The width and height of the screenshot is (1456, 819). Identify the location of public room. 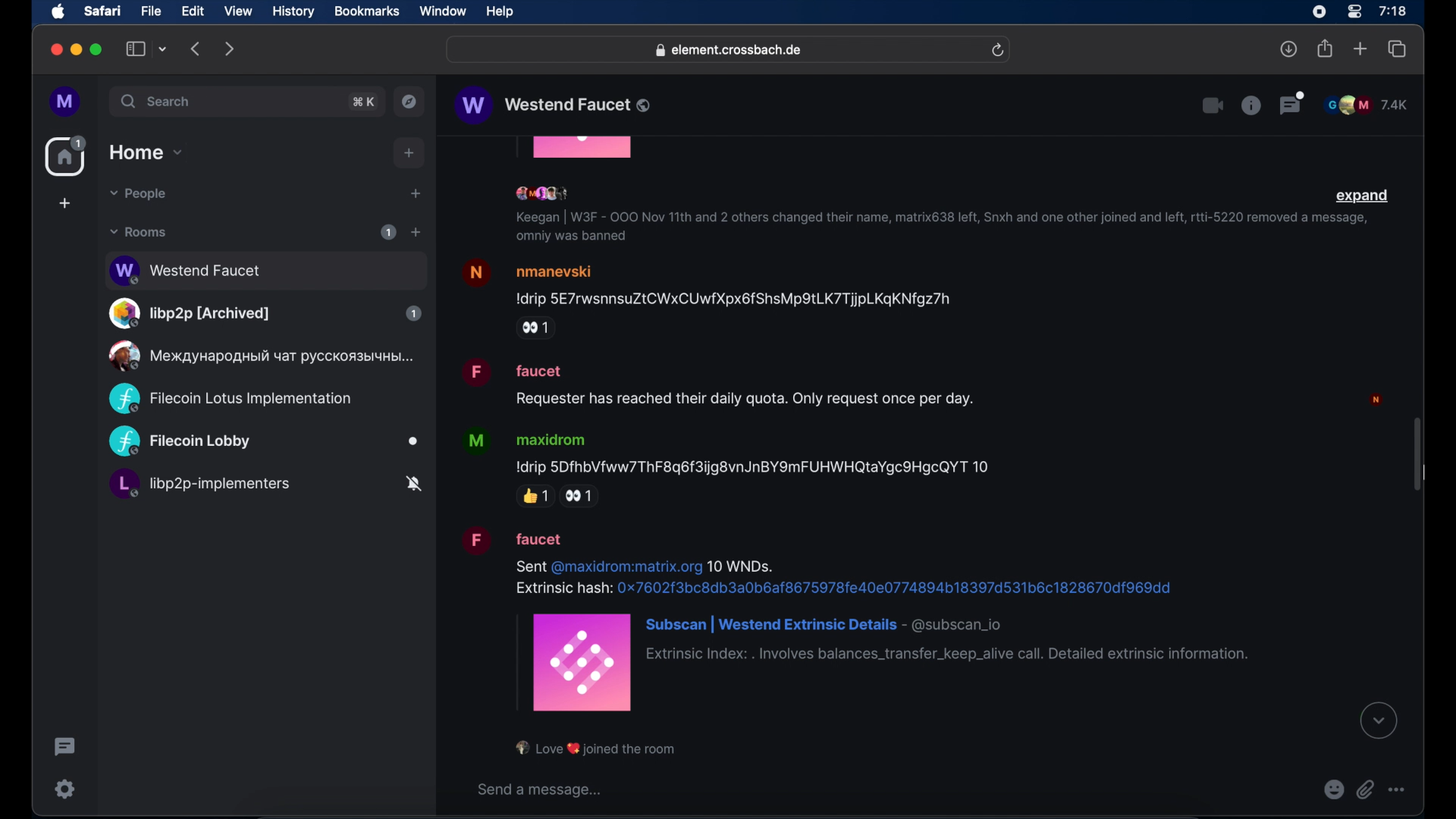
(259, 356).